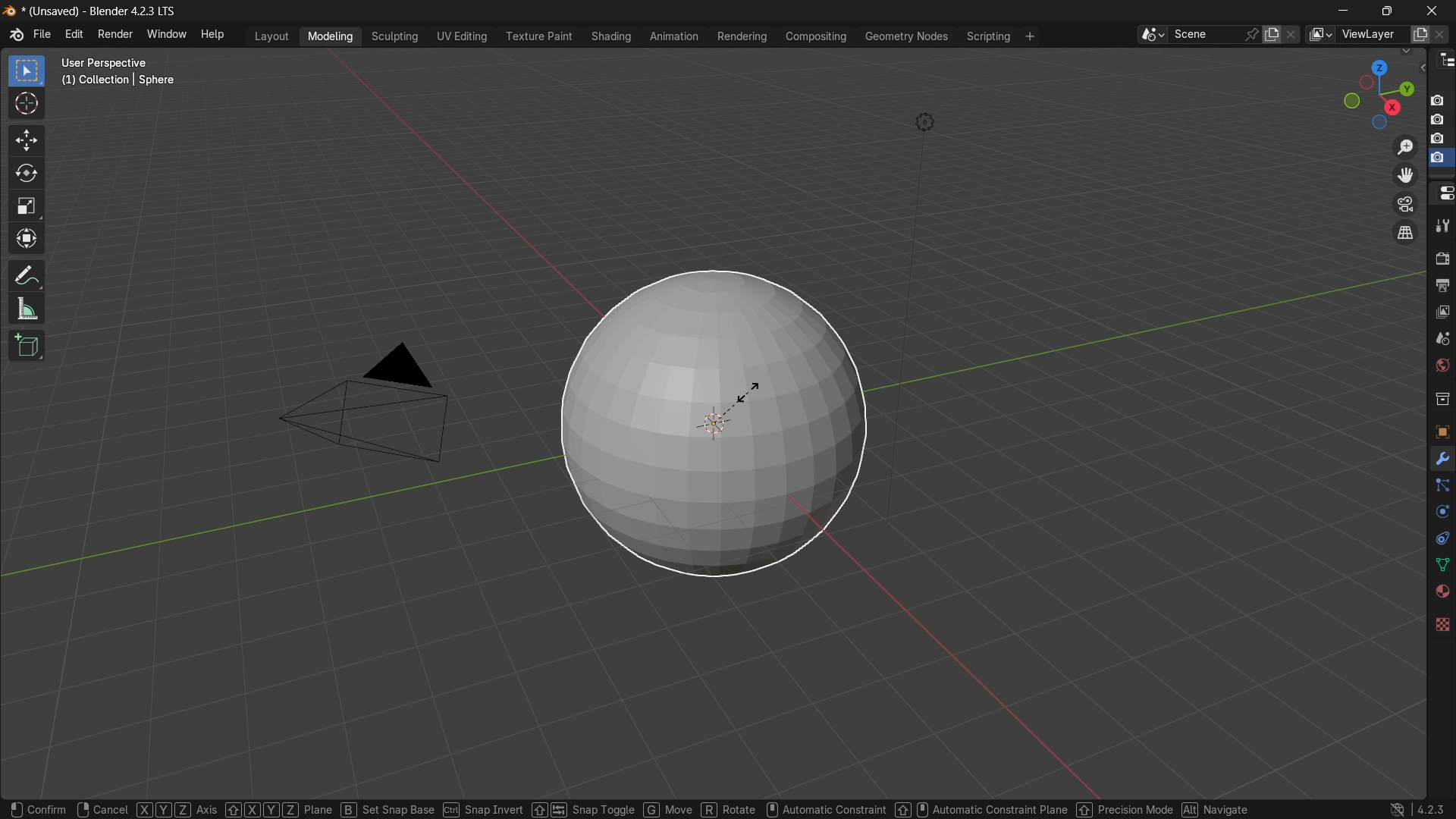 The width and height of the screenshot is (1456, 819). I want to click on modeling menu, so click(331, 37).